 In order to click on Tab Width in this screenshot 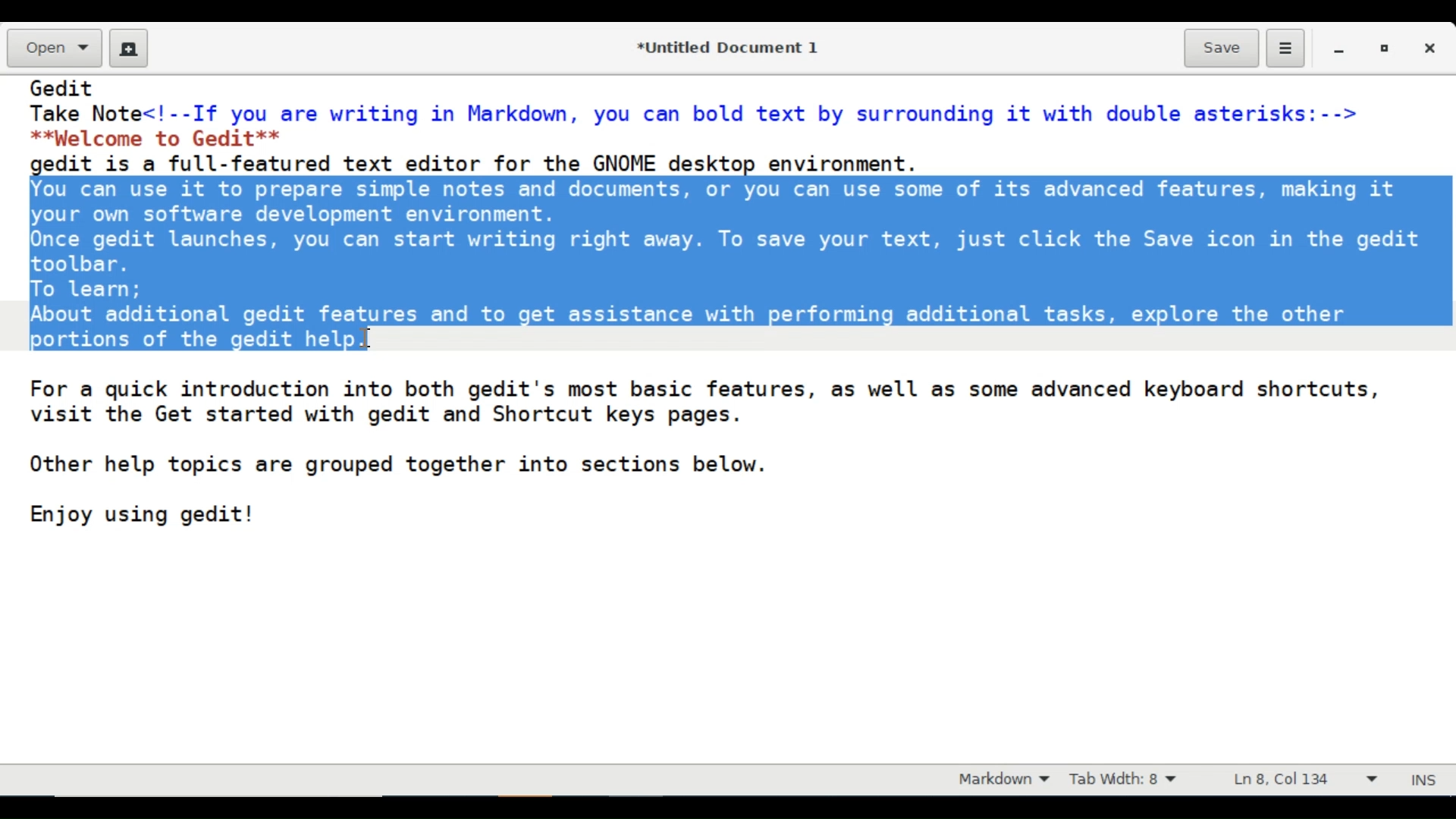, I will do `click(1134, 780)`.